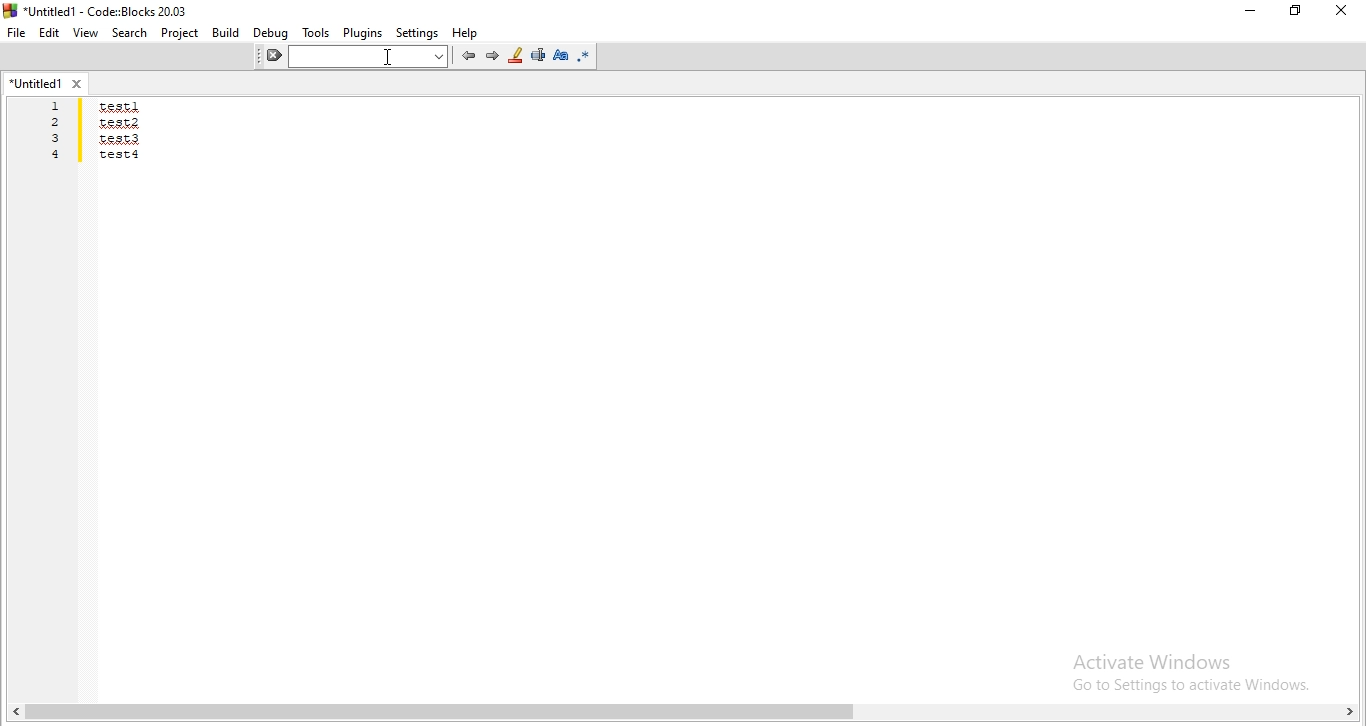 The image size is (1366, 726). Describe the element at coordinates (362, 33) in the screenshot. I see `Plugins ` at that location.